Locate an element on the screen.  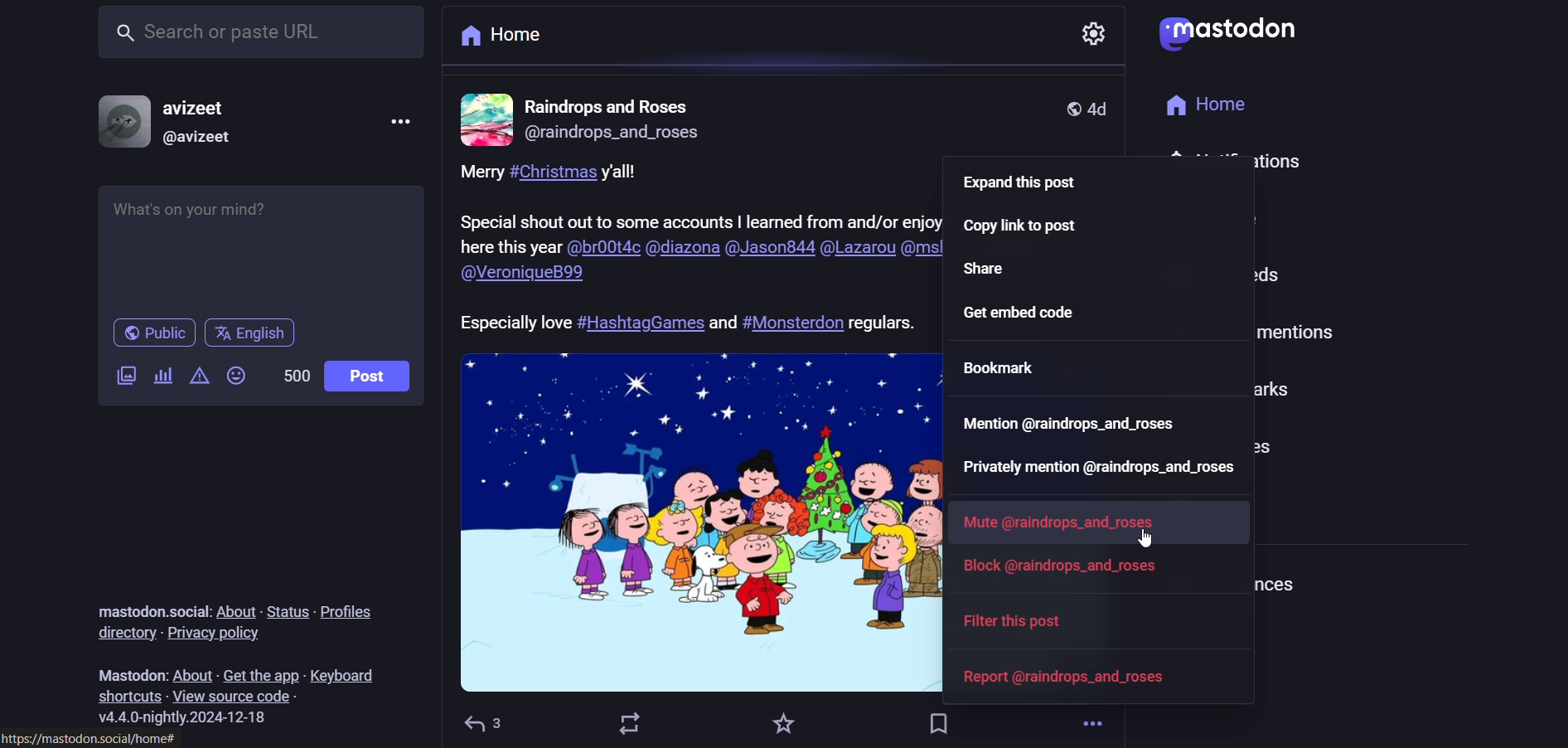
display picture is located at coordinates (118, 119).